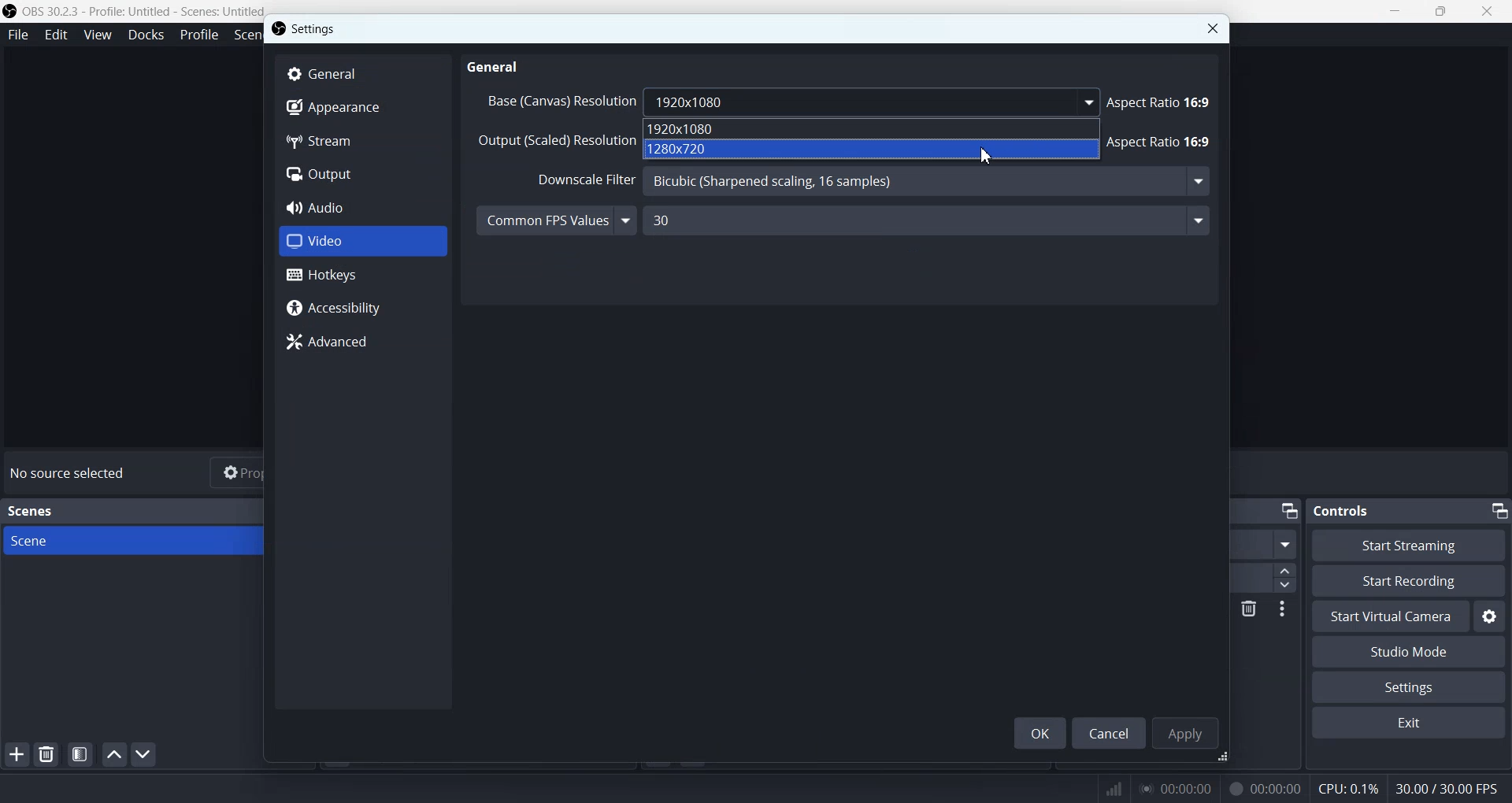 Image resolution: width=1512 pixels, height=803 pixels. Describe the element at coordinates (361, 208) in the screenshot. I see `Audio` at that location.